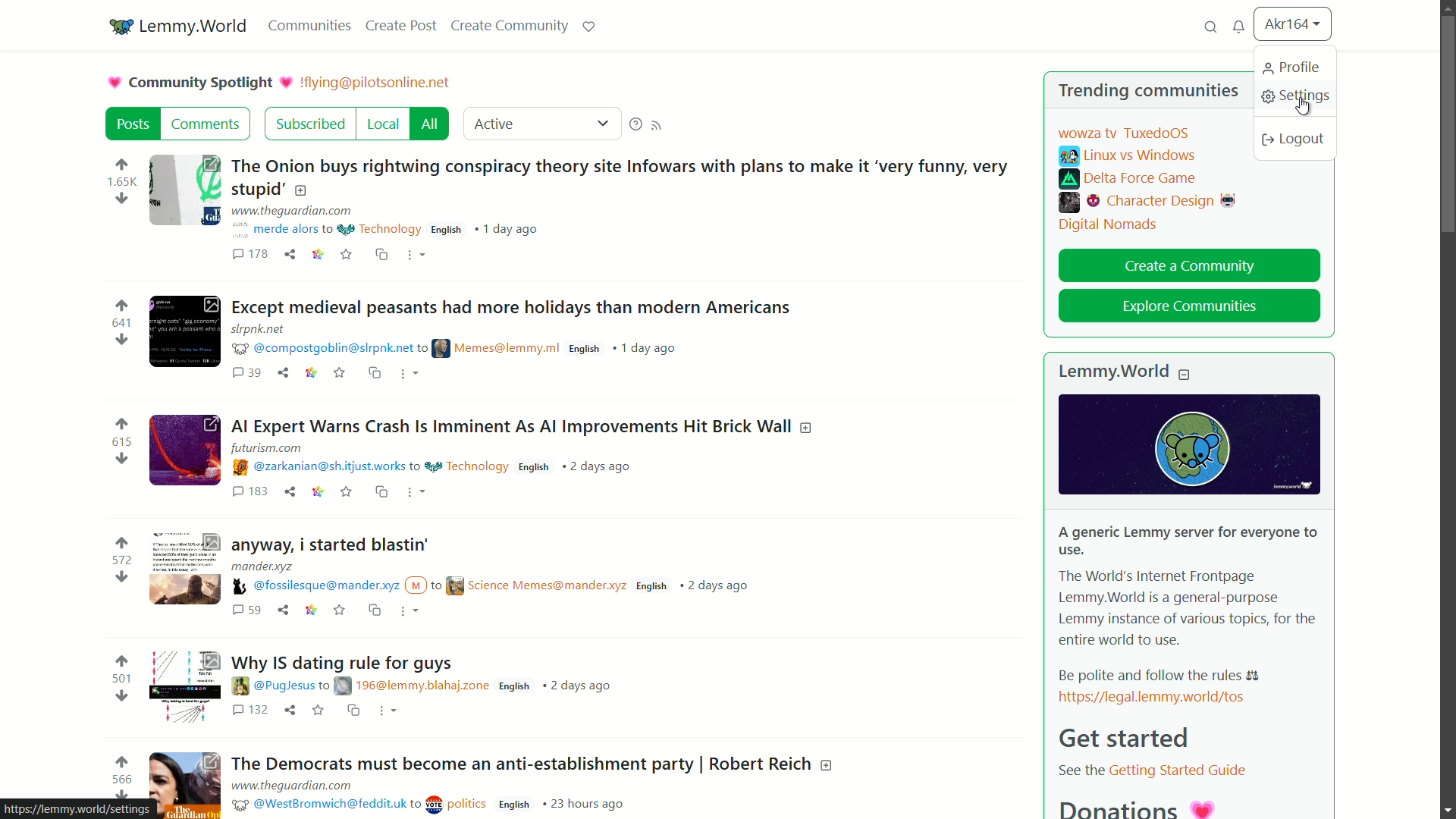 This screenshot has width=1456, height=819. What do you see at coordinates (1291, 65) in the screenshot?
I see `profile` at bounding box center [1291, 65].